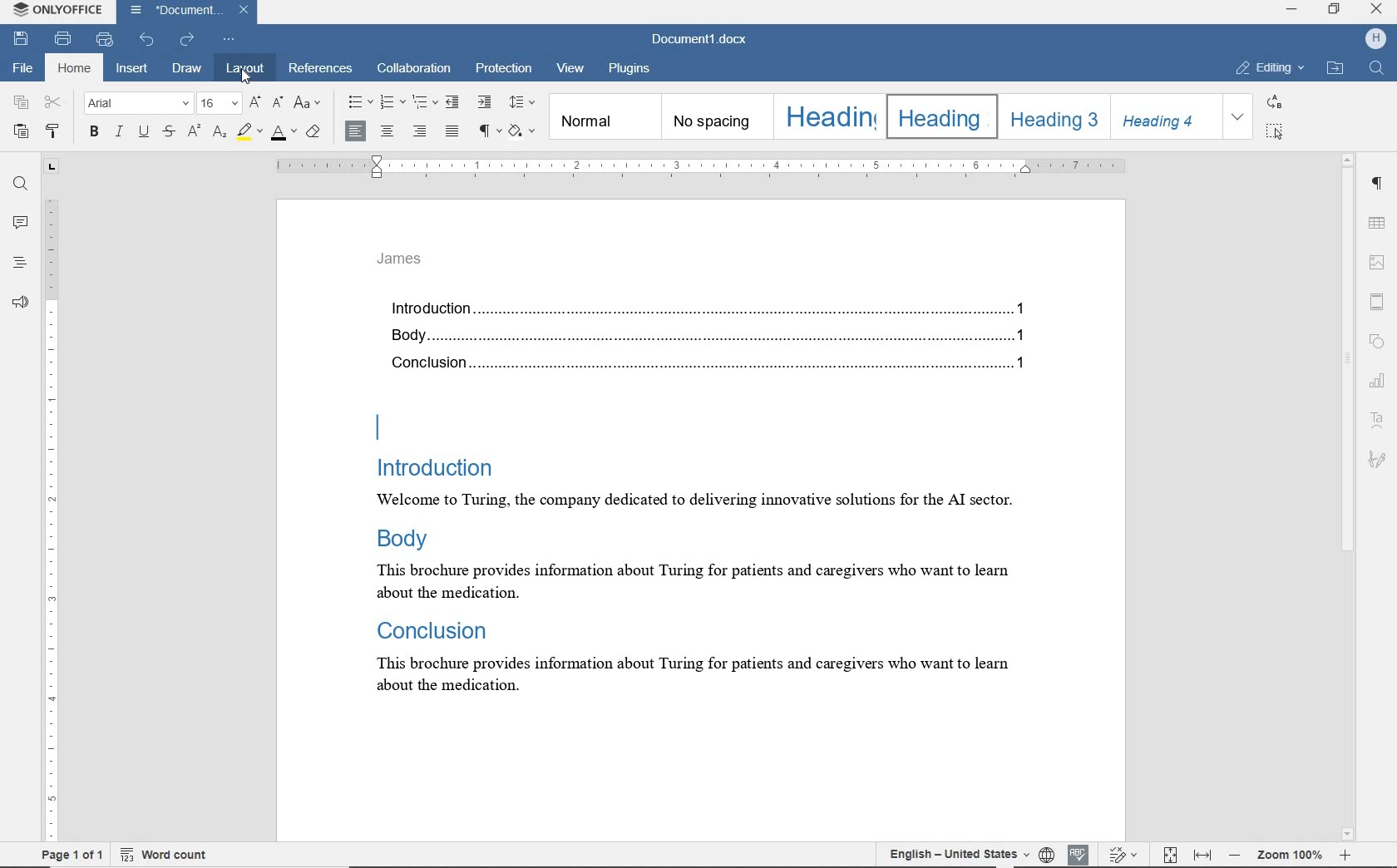 This screenshot has height=868, width=1397. I want to click on zoom out or zoom in, so click(1290, 854).